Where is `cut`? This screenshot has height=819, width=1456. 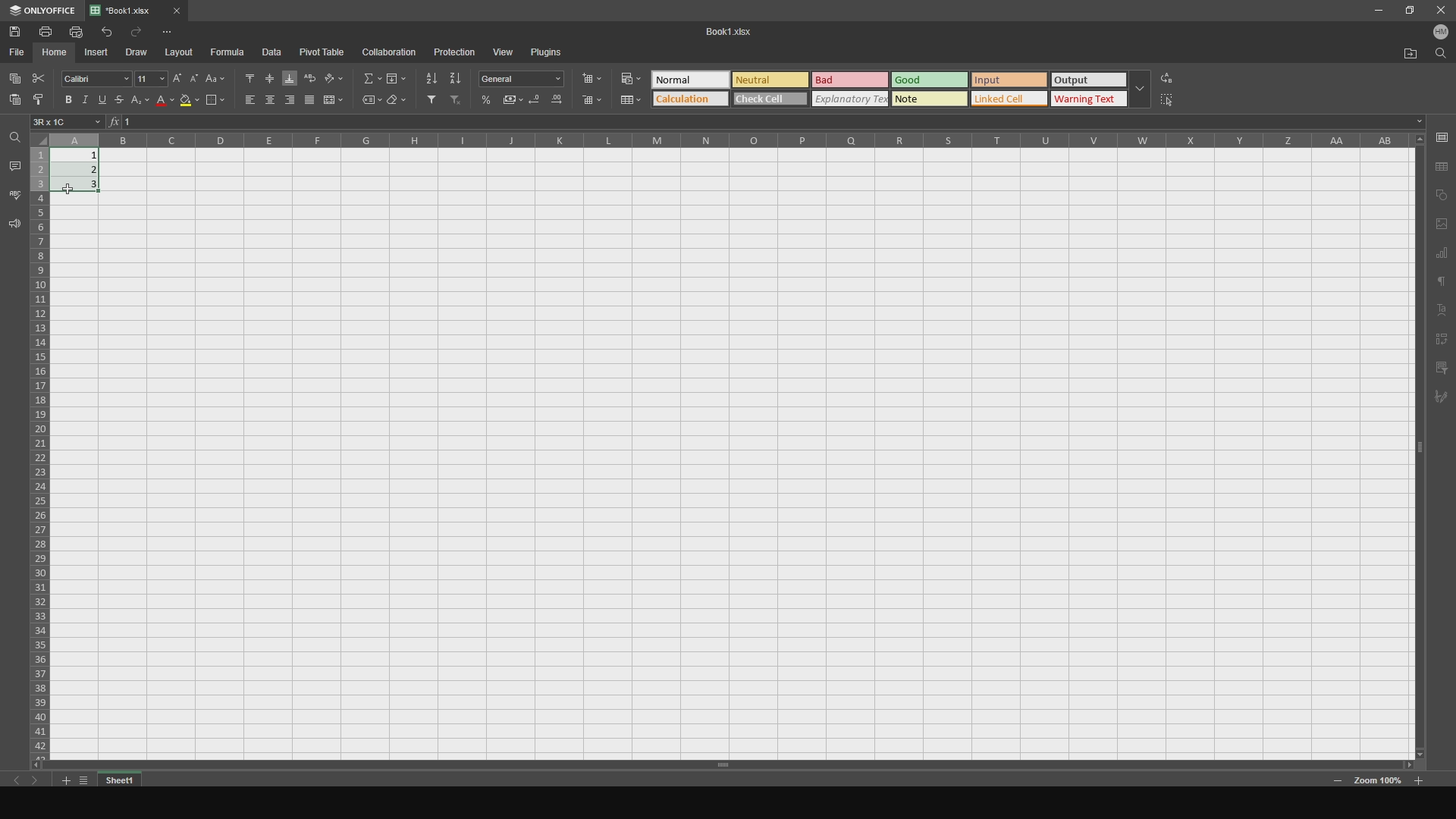
cut is located at coordinates (37, 76).